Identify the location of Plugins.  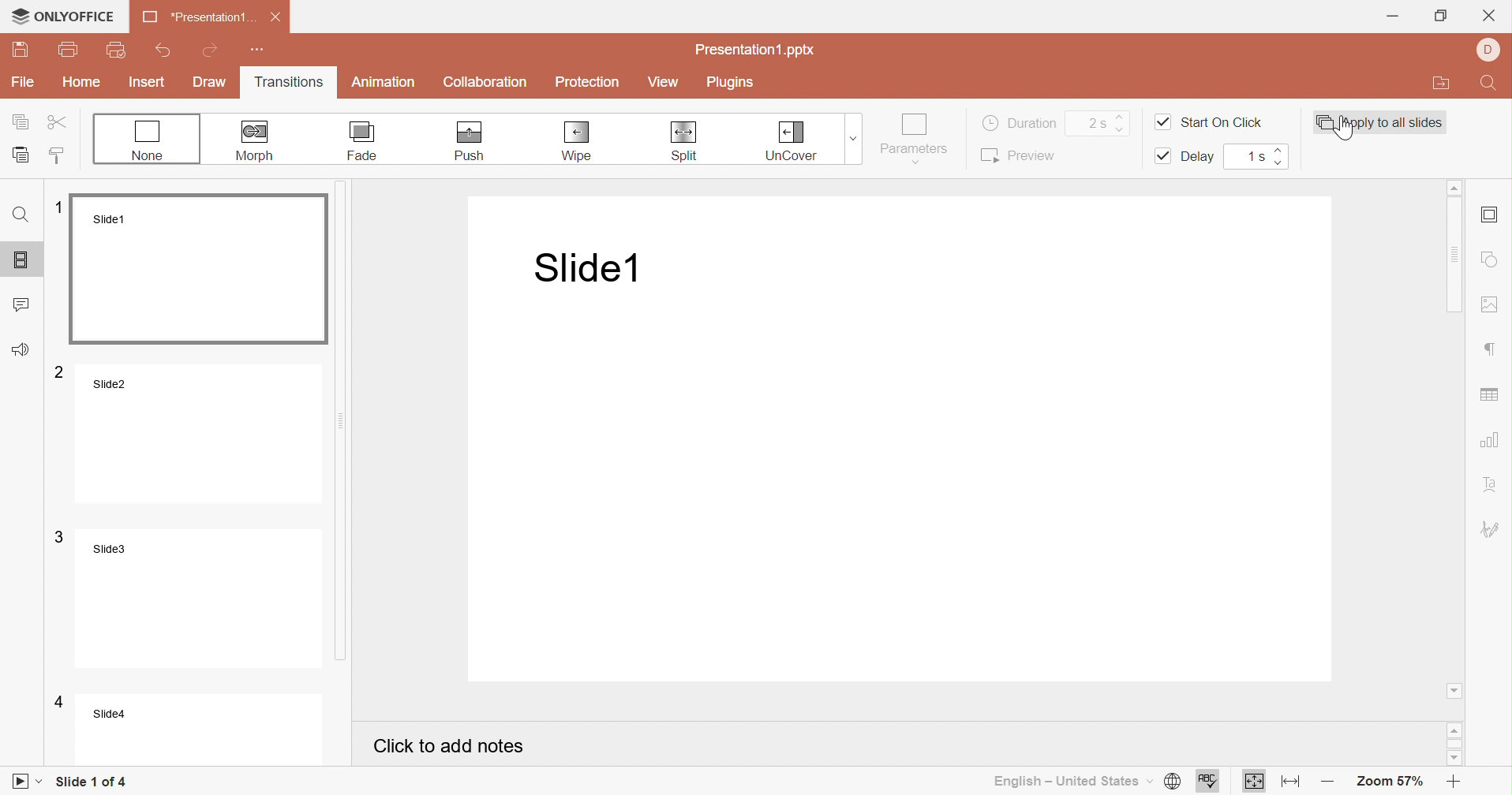
(728, 81).